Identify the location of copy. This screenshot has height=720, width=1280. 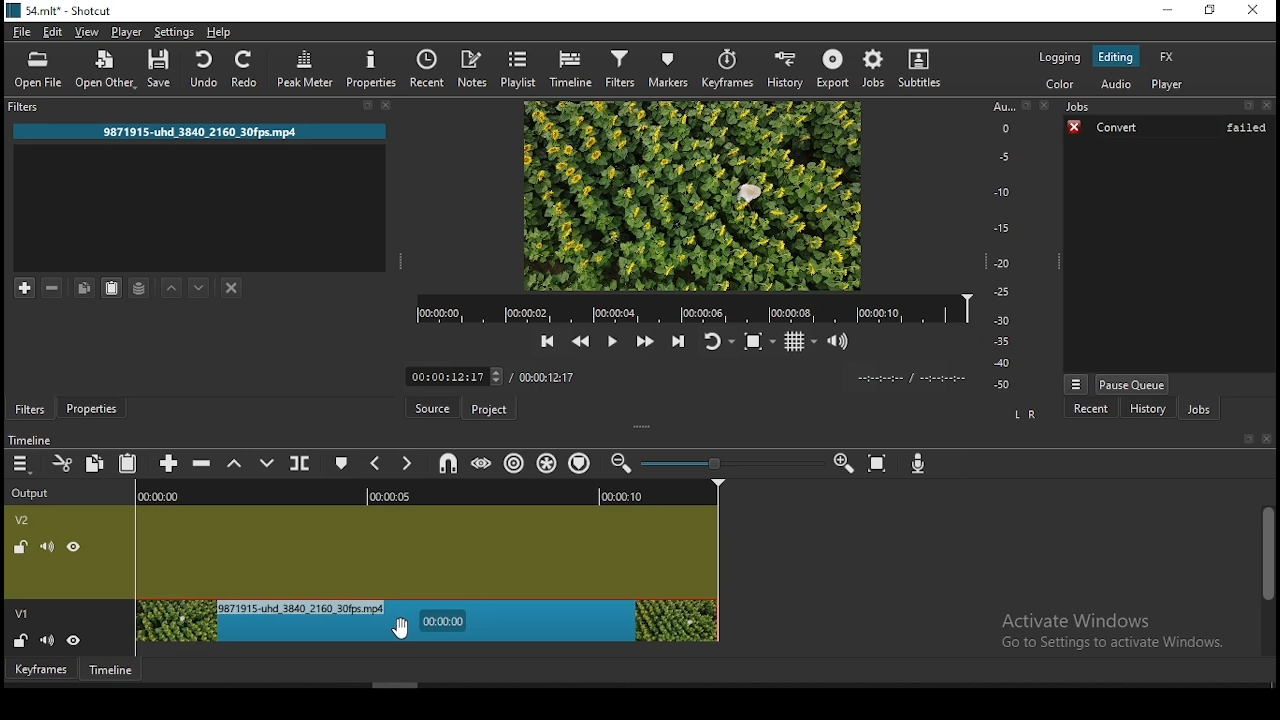
(82, 286).